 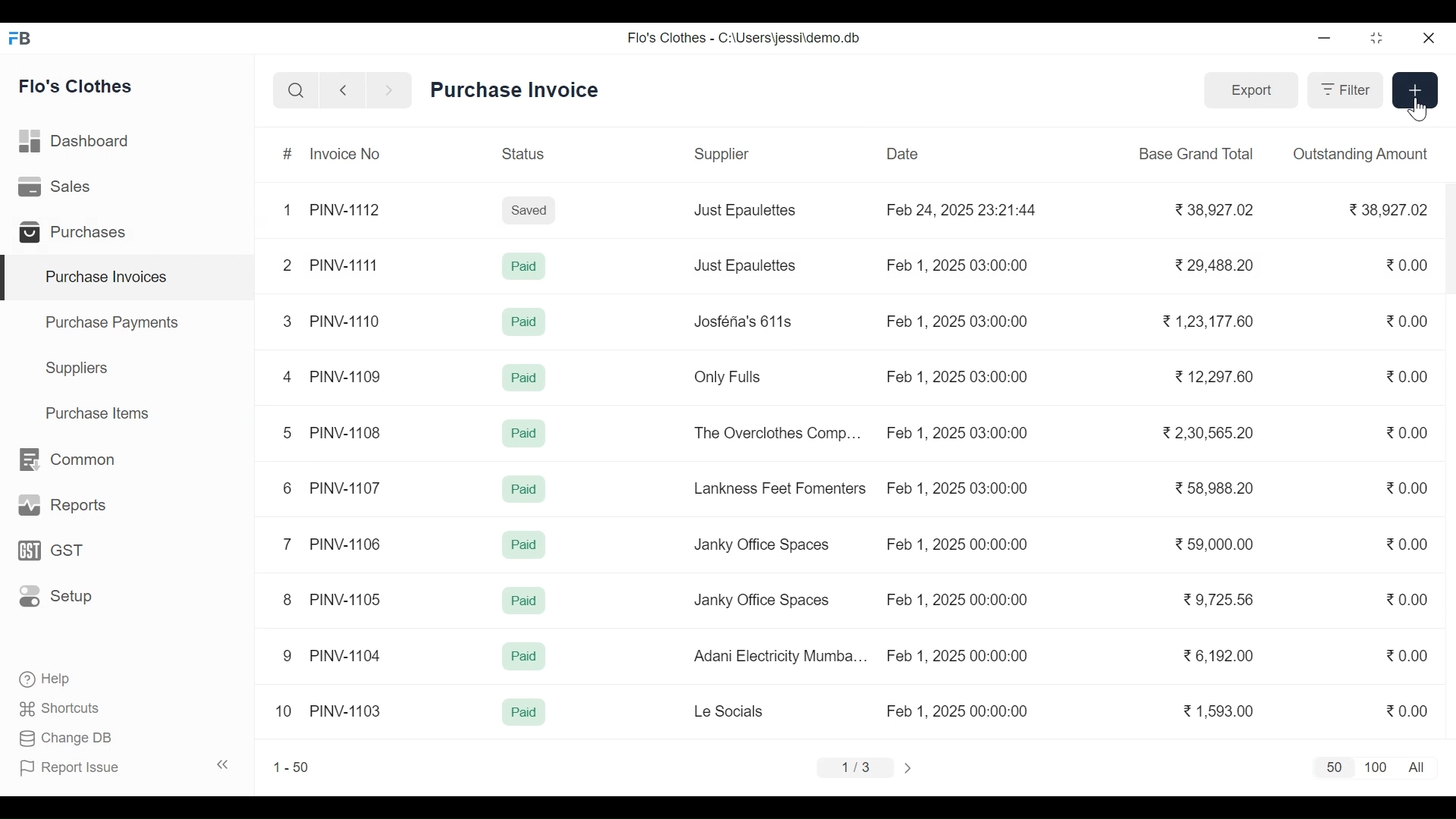 What do you see at coordinates (346, 597) in the screenshot?
I see `PINV-1105` at bounding box center [346, 597].